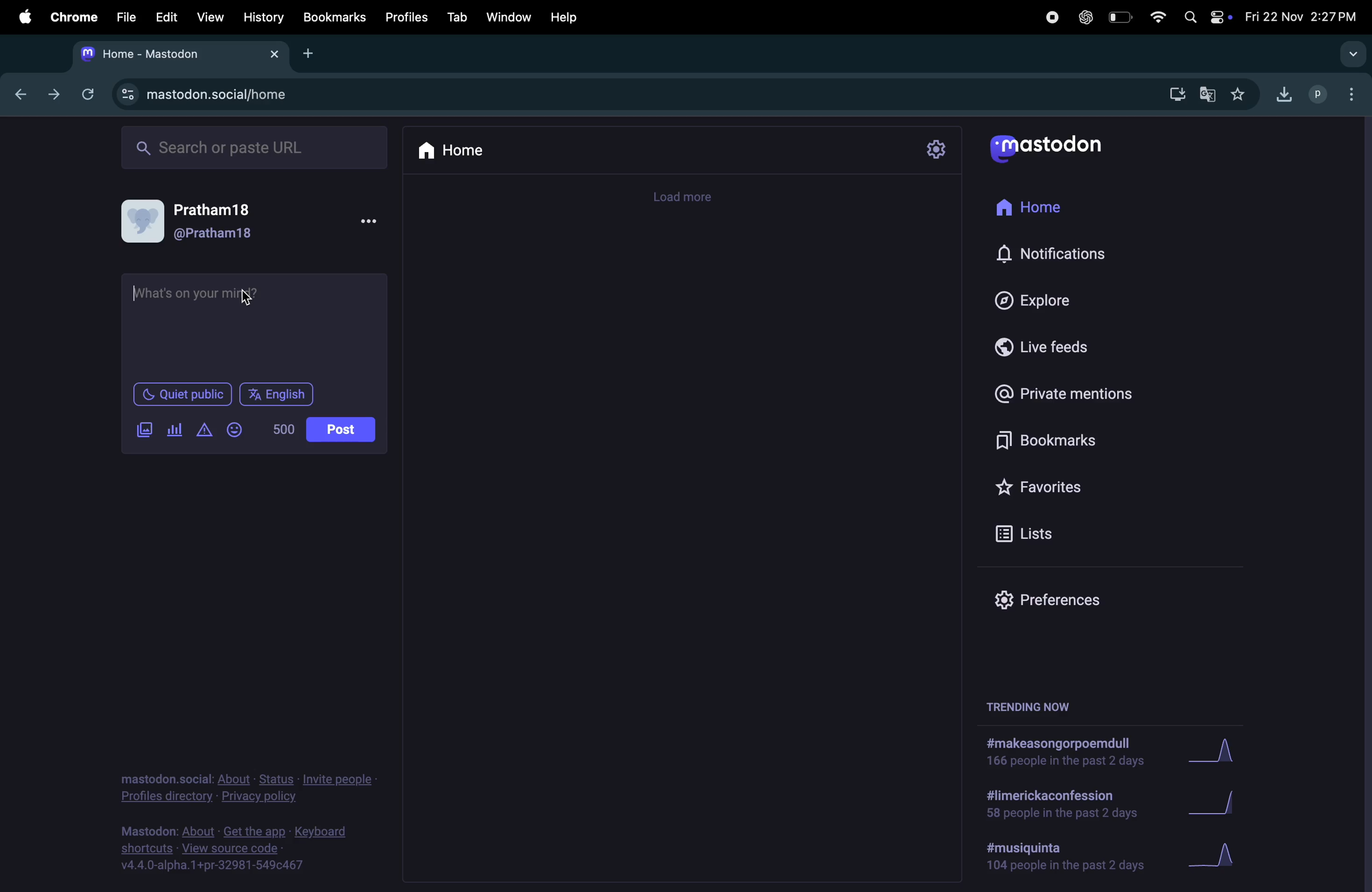 This screenshot has height=892, width=1372. I want to click on drop down, so click(1352, 54).